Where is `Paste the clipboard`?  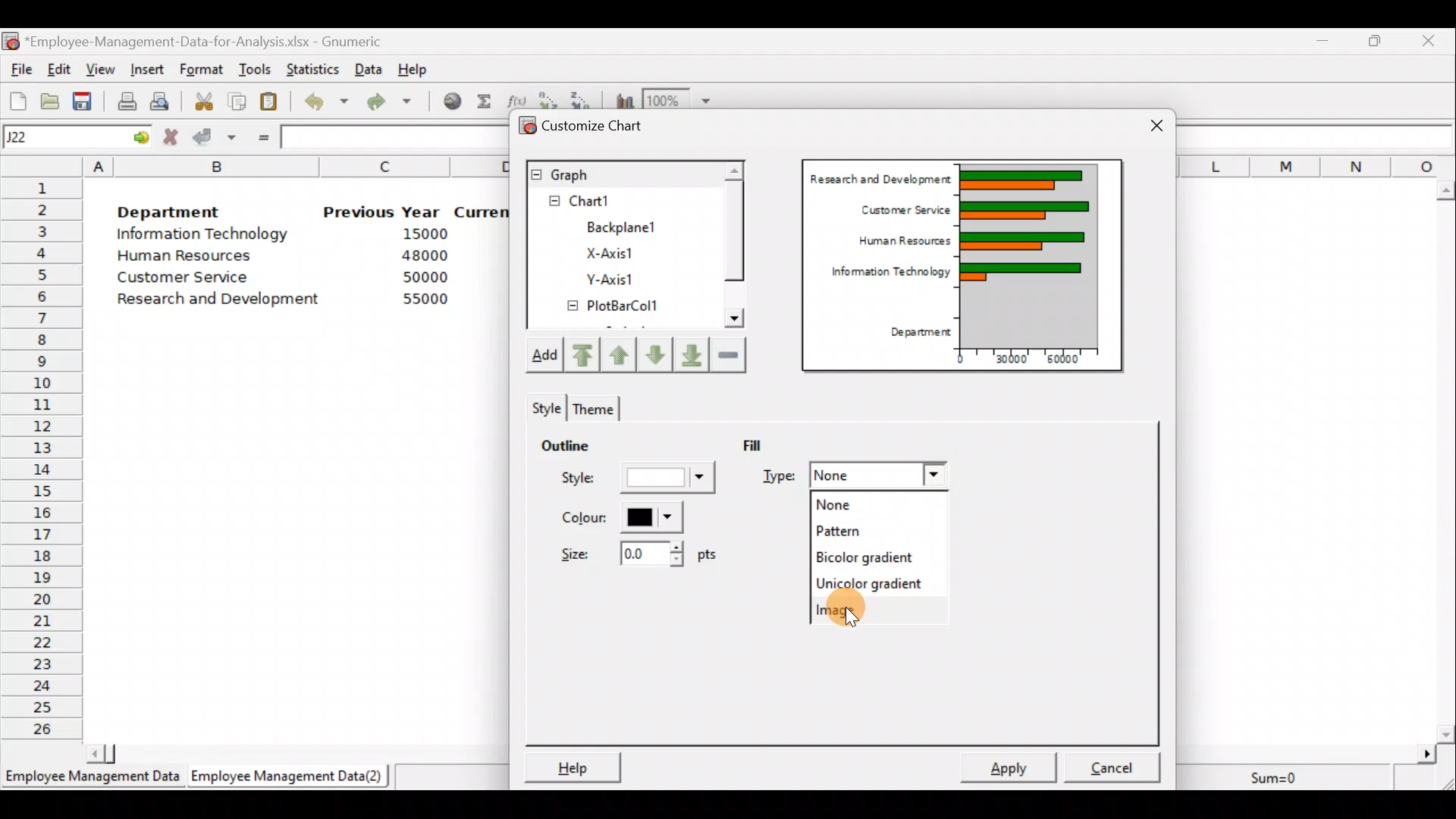 Paste the clipboard is located at coordinates (273, 103).